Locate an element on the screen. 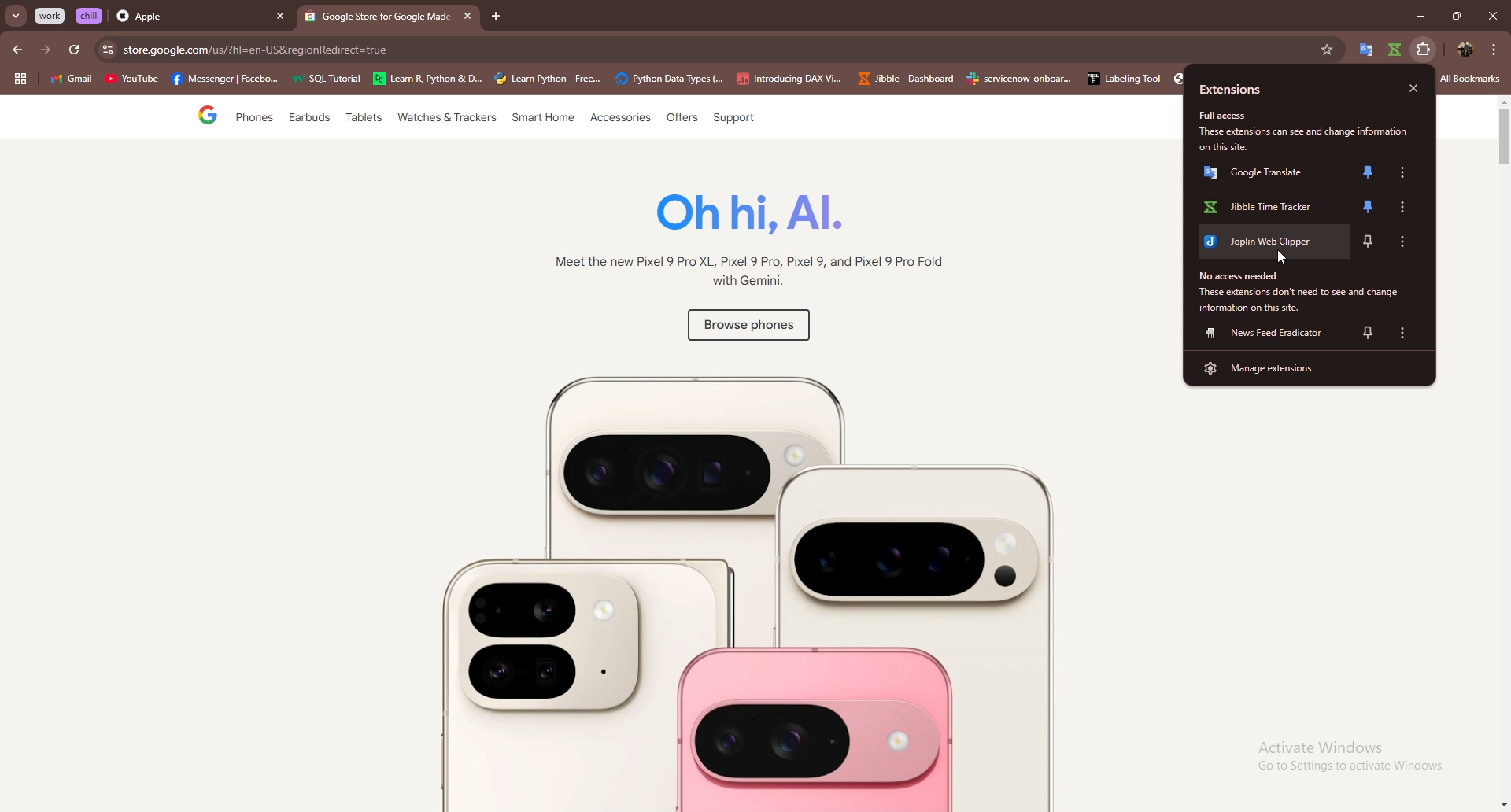 This screenshot has height=812, width=1511. Introducing DAX Vi.. is located at coordinates (789, 79).